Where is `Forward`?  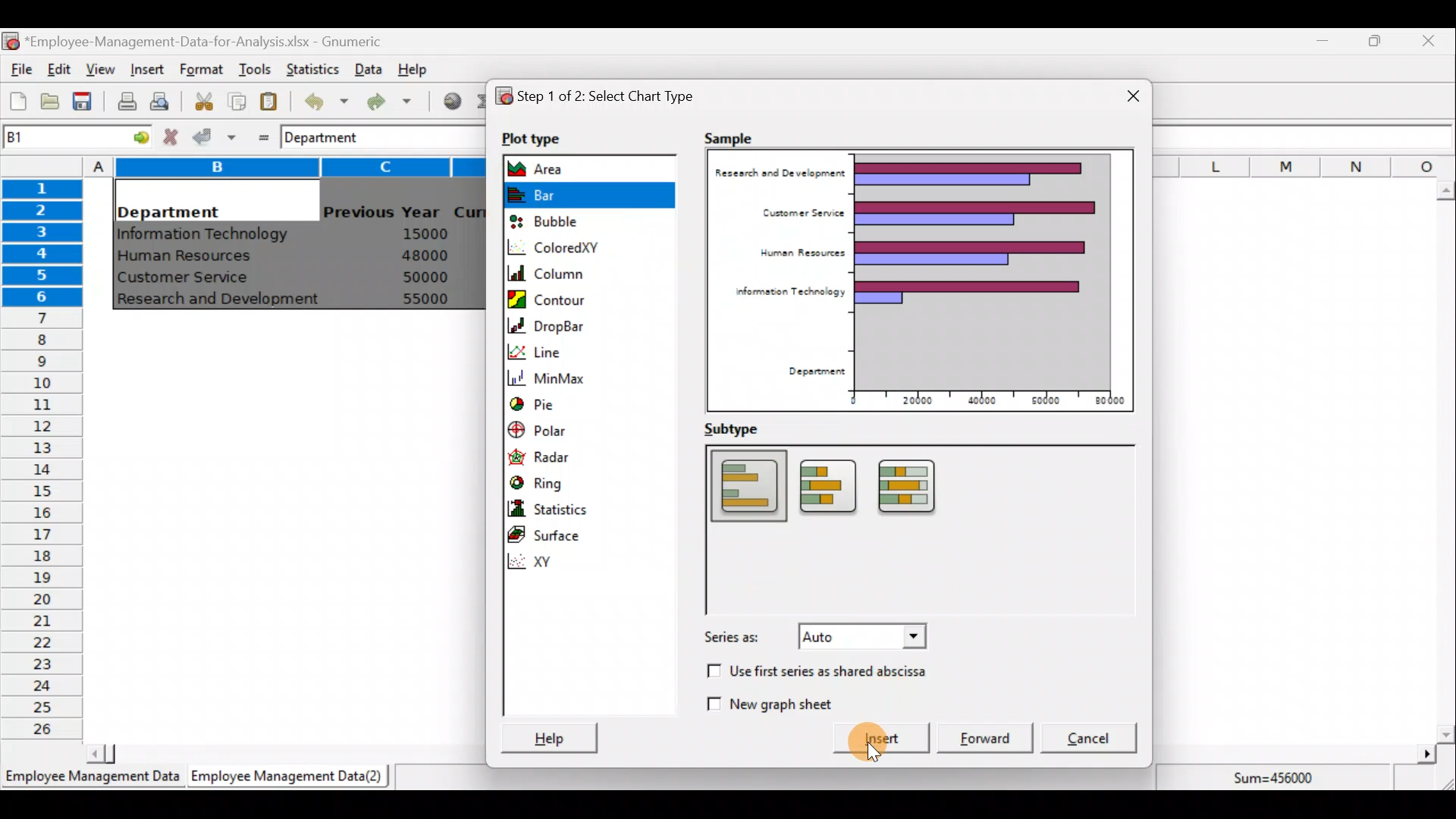
Forward is located at coordinates (989, 736).